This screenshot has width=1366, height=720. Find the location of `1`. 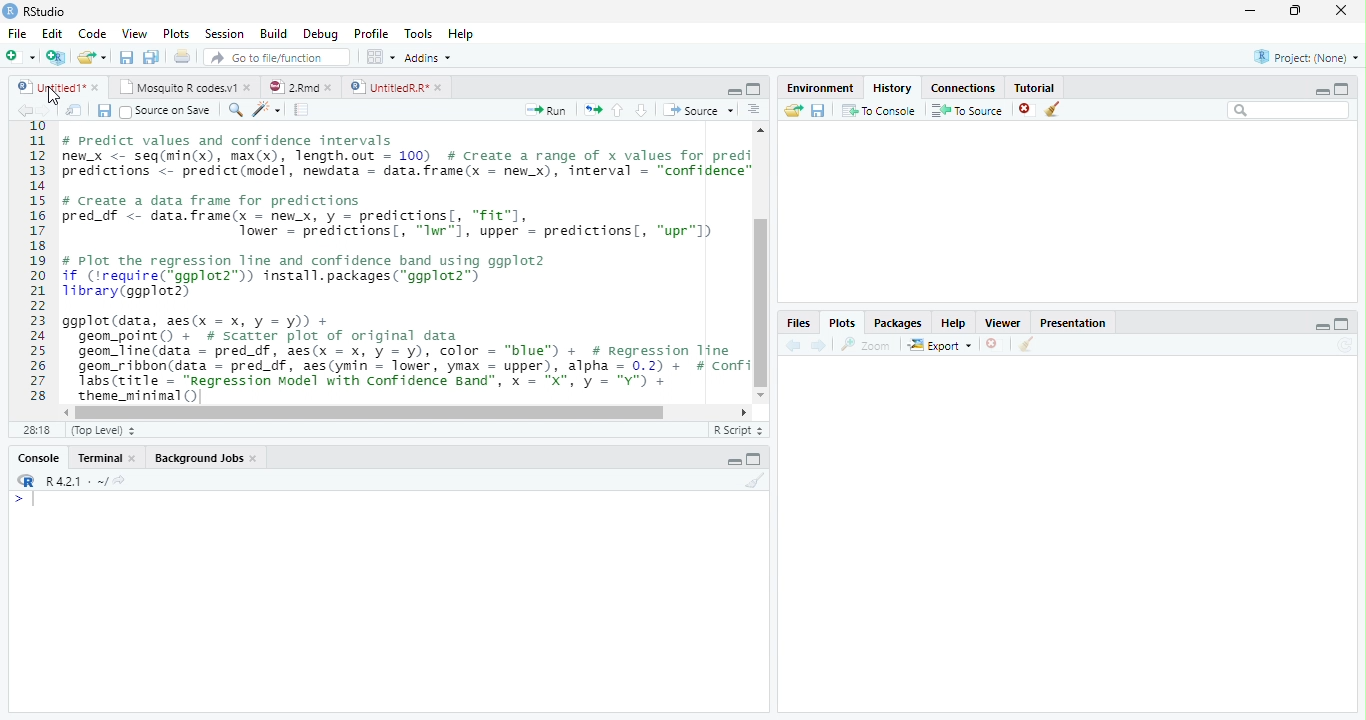

1 is located at coordinates (35, 128).